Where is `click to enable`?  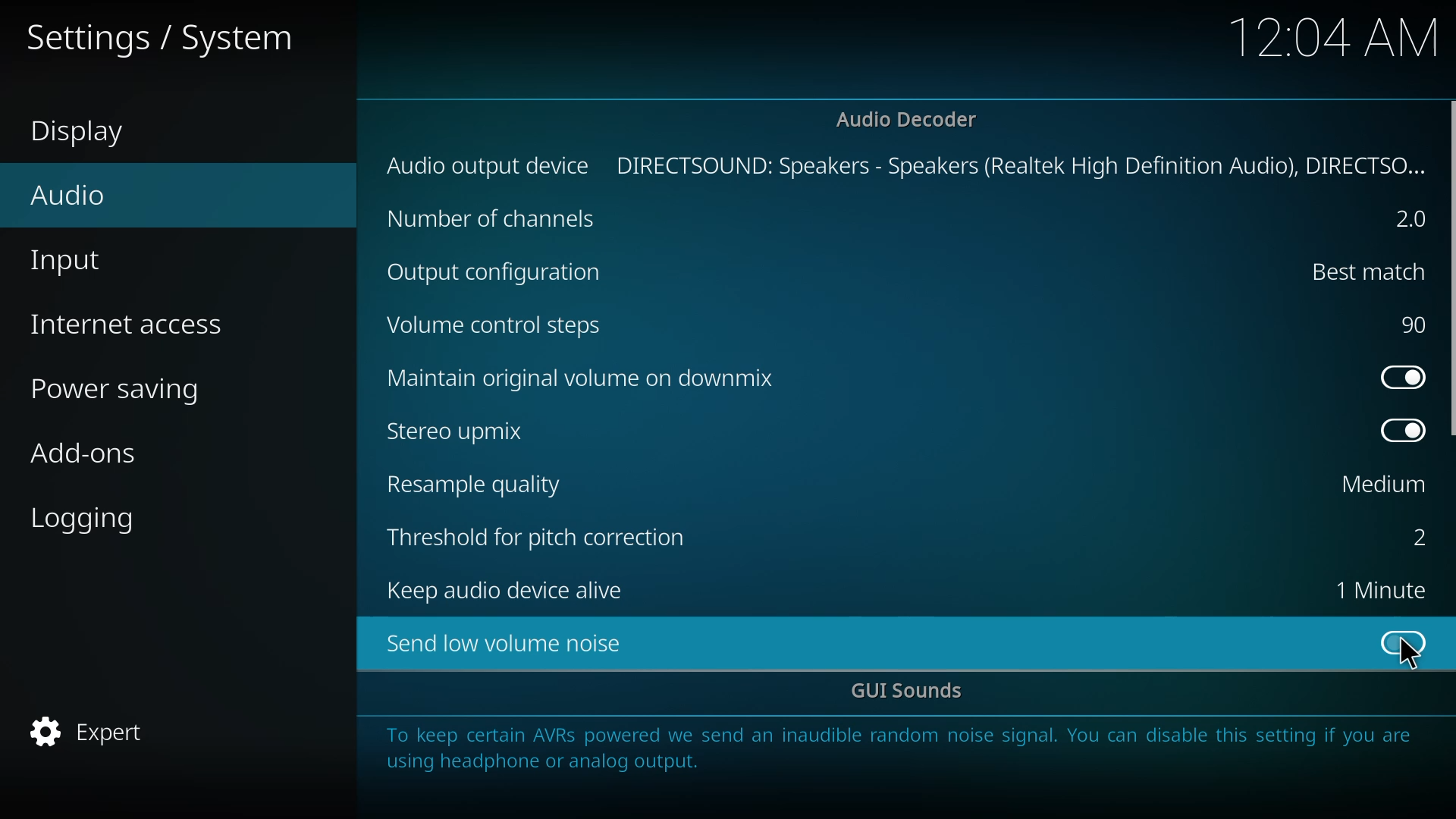 click to enable is located at coordinates (1404, 642).